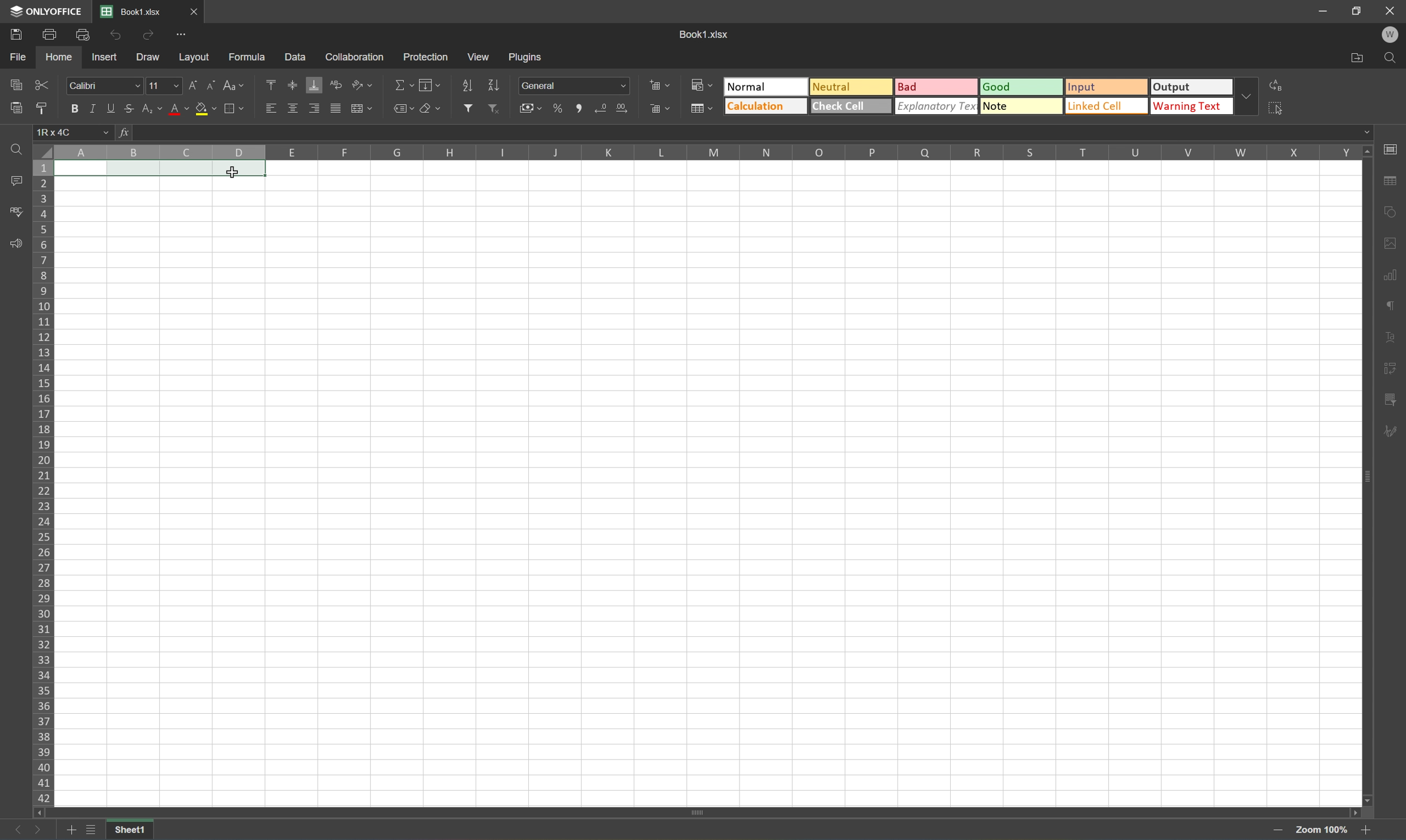 The height and width of the screenshot is (840, 1406). What do you see at coordinates (623, 109) in the screenshot?
I see `Increase decimal` at bounding box center [623, 109].